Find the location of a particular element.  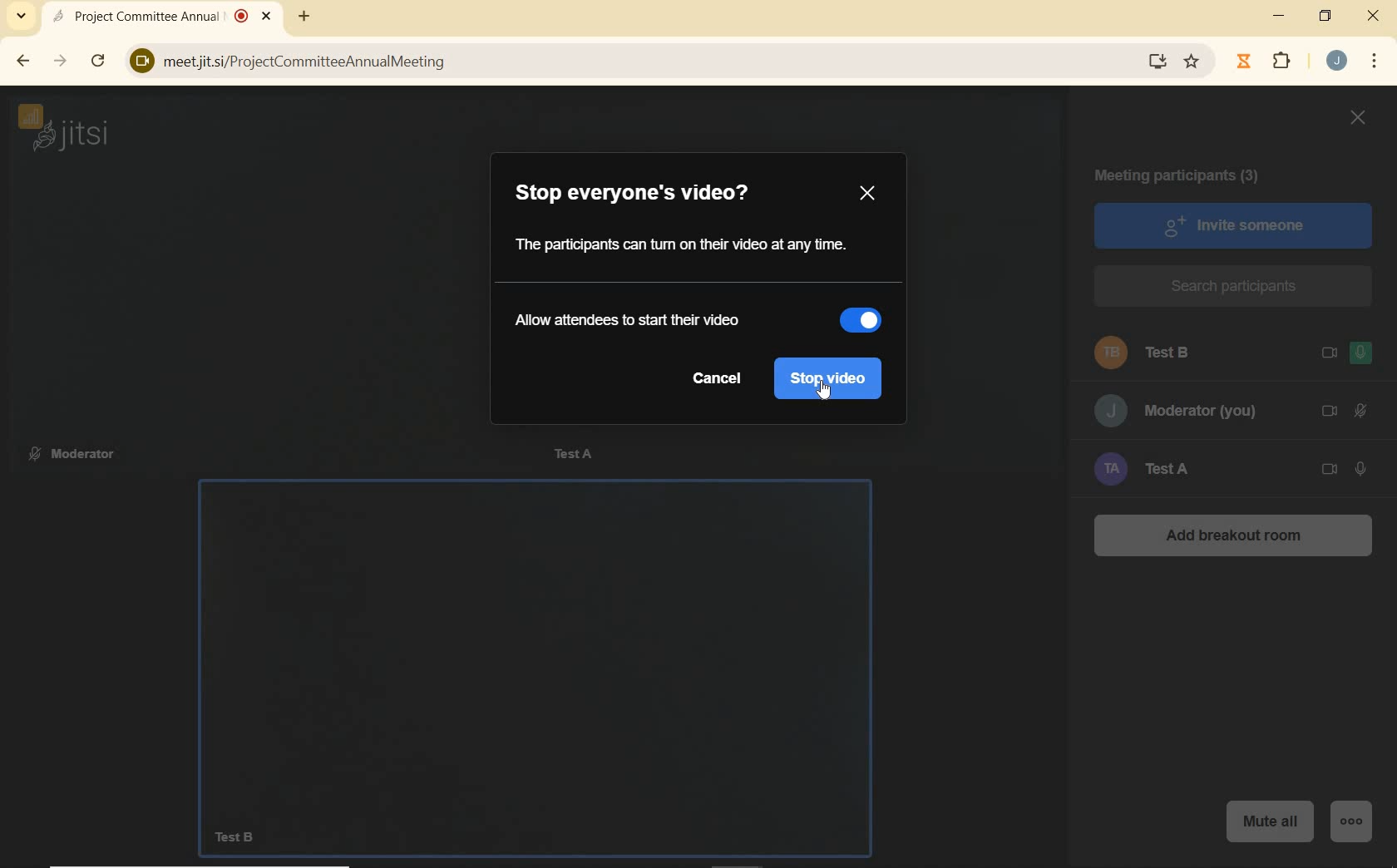

Test B is located at coordinates (1185, 353).